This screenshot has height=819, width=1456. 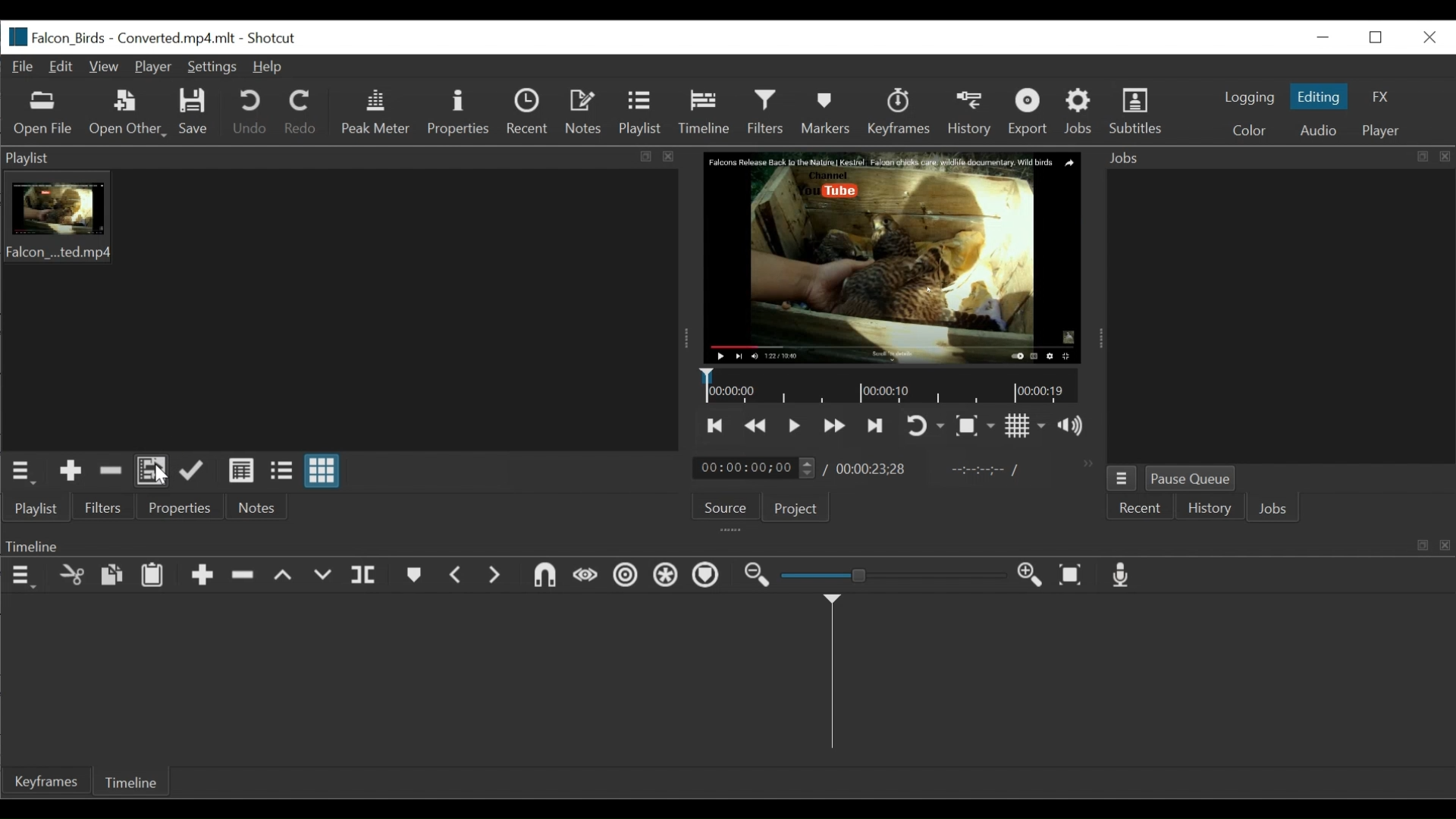 I want to click on Split at playhead, so click(x=366, y=576).